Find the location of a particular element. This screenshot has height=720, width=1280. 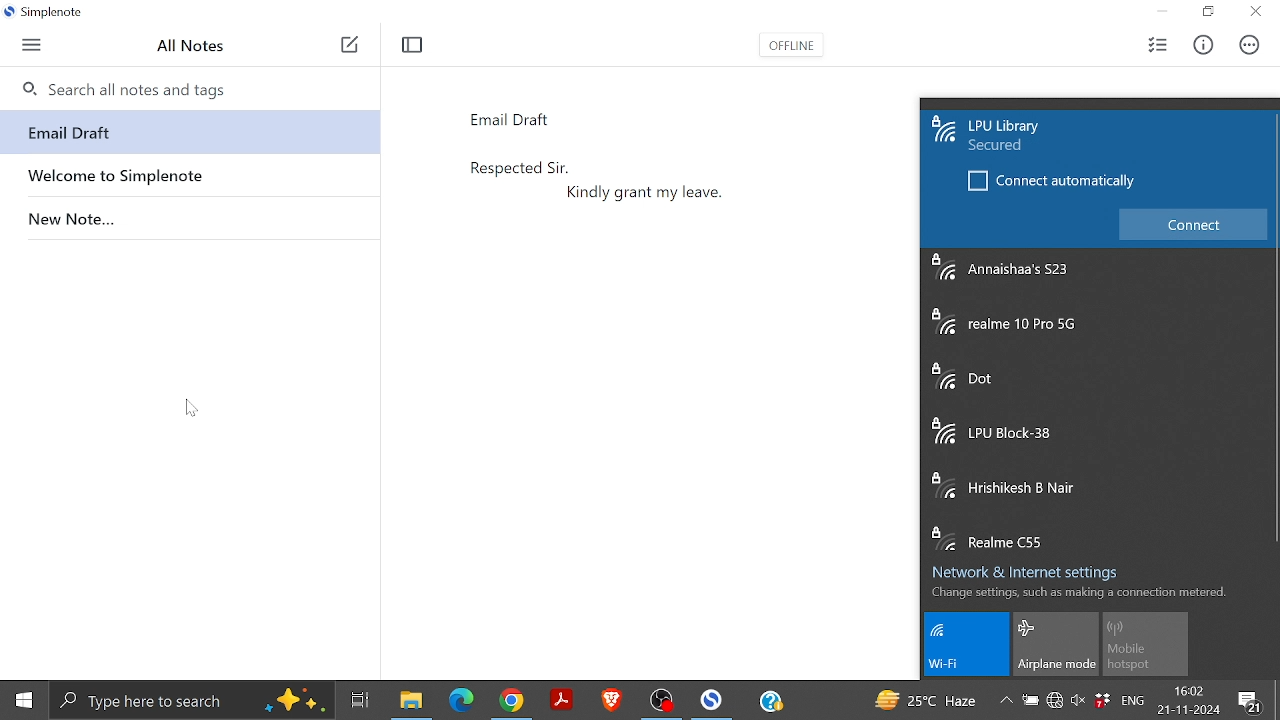

Actions is located at coordinates (1246, 45).